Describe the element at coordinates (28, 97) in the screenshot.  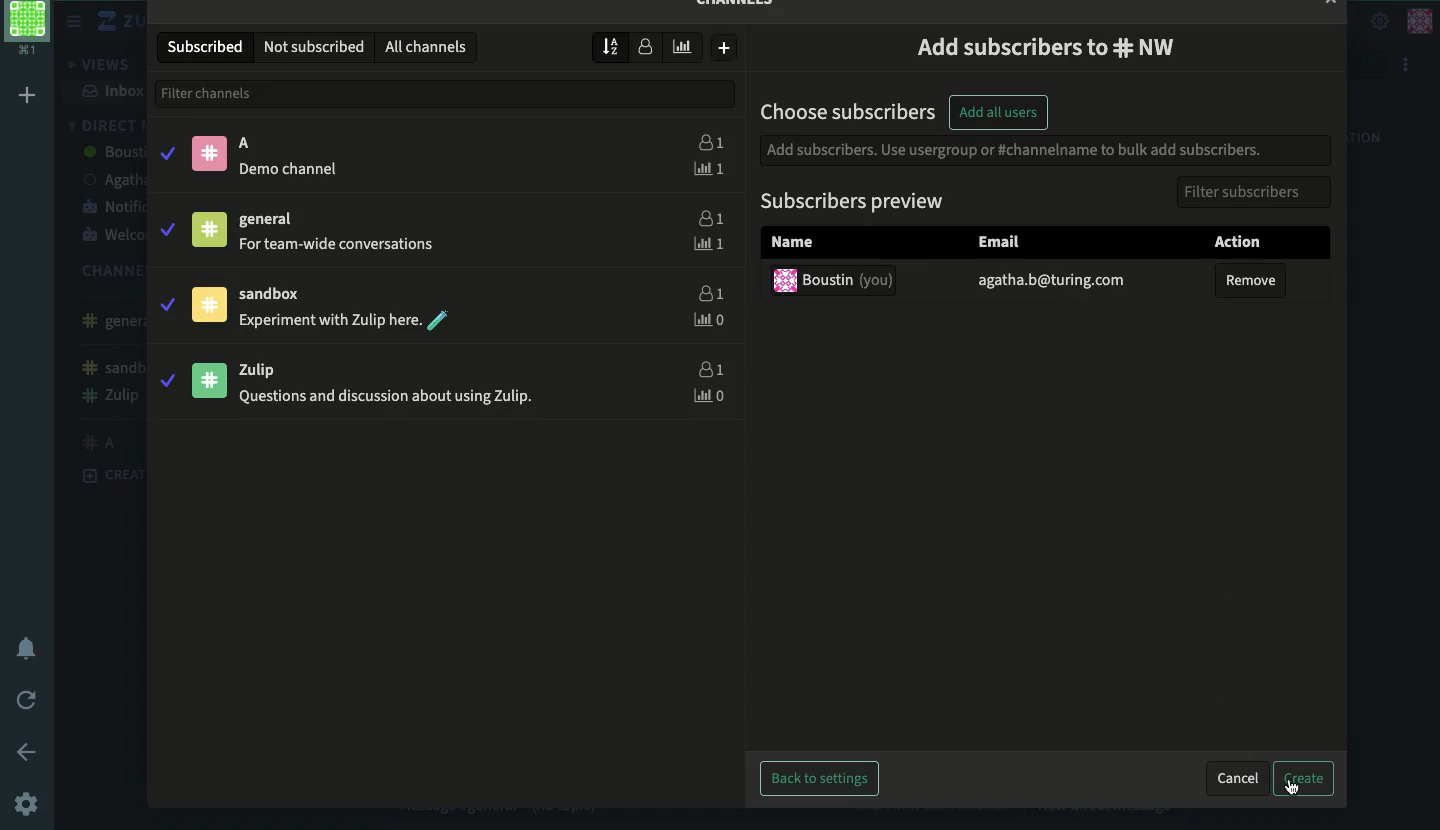
I see `add workspace` at that location.